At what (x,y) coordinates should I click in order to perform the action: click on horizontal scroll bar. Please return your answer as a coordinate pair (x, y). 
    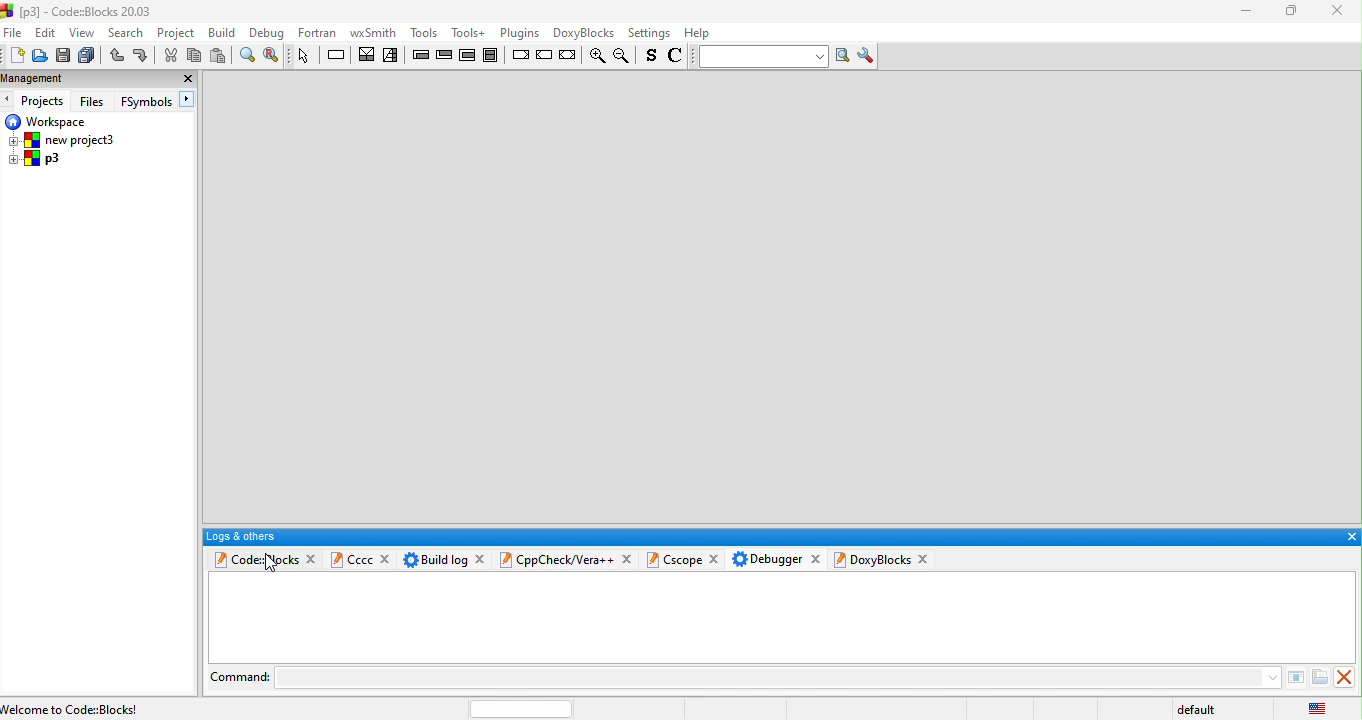
    Looking at the image, I should click on (521, 708).